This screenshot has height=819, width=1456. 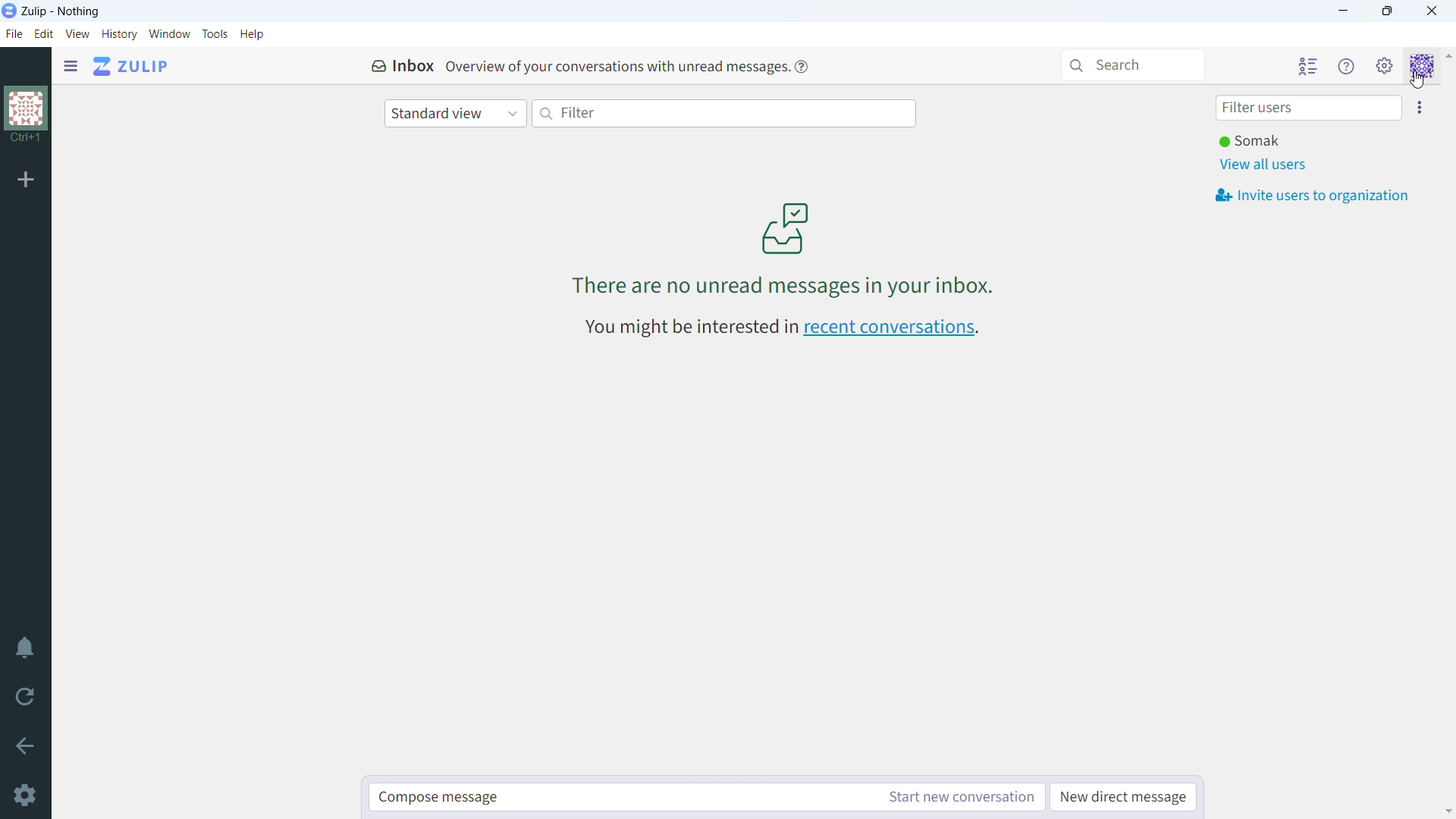 What do you see at coordinates (1312, 195) in the screenshot?
I see `invite users to organization` at bounding box center [1312, 195].